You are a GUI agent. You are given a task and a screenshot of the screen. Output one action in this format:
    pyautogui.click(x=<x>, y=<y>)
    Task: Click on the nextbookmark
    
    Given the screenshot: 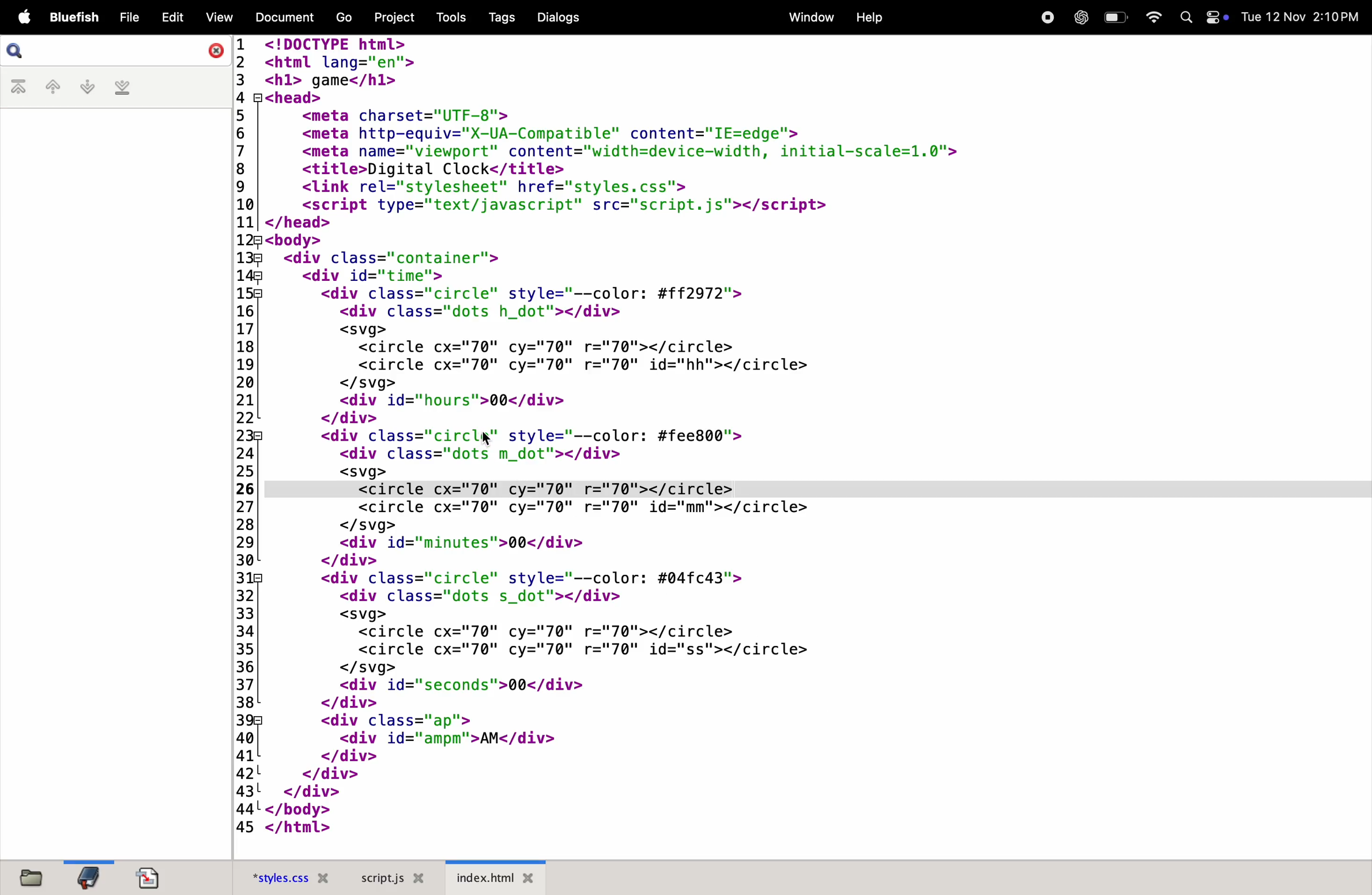 What is the action you would take?
    pyautogui.click(x=85, y=88)
    